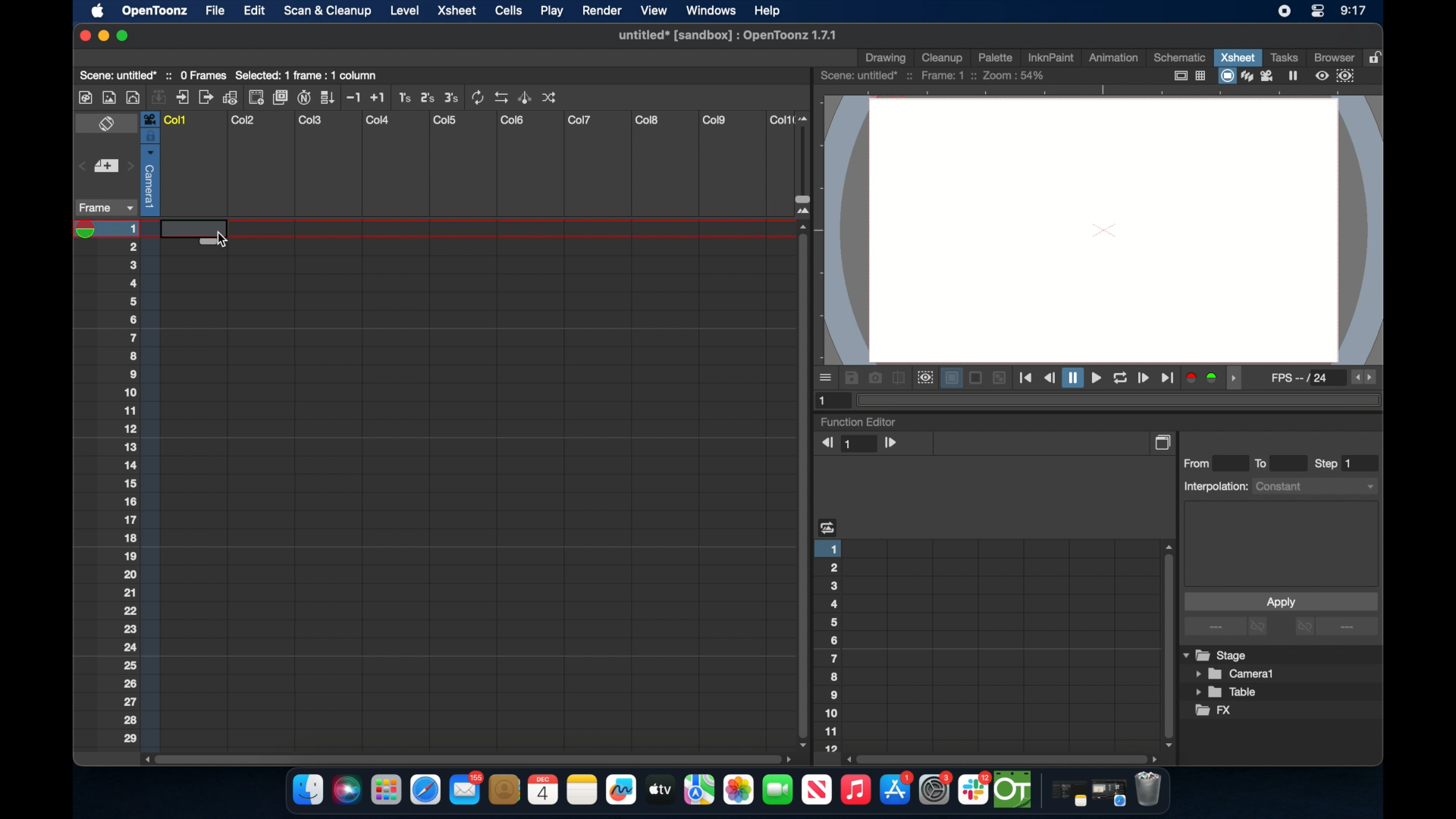 Image resolution: width=1456 pixels, height=819 pixels. I want to click on xsheet, so click(458, 11).